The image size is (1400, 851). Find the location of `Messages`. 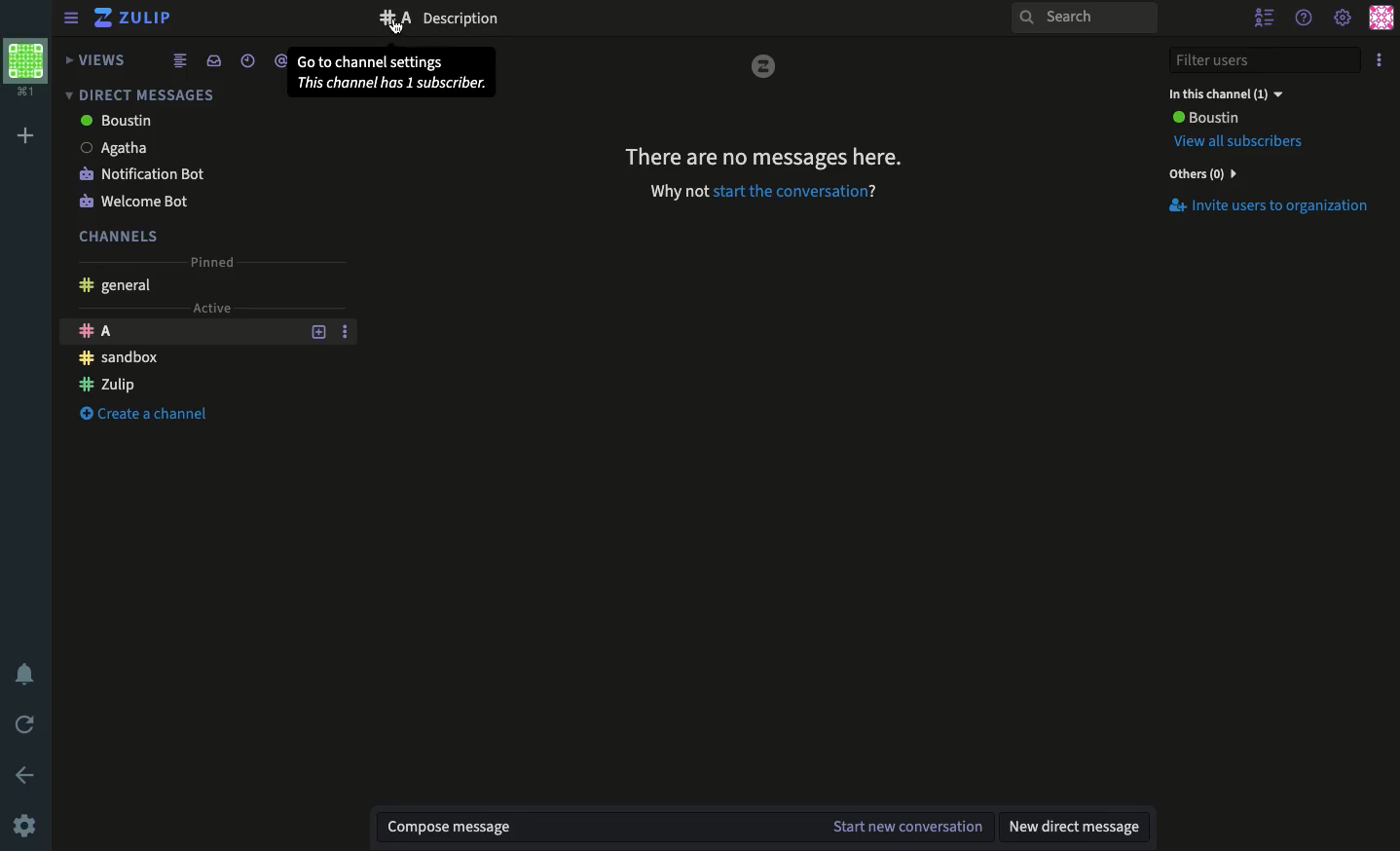

Messages is located at coordinates (594, 828).